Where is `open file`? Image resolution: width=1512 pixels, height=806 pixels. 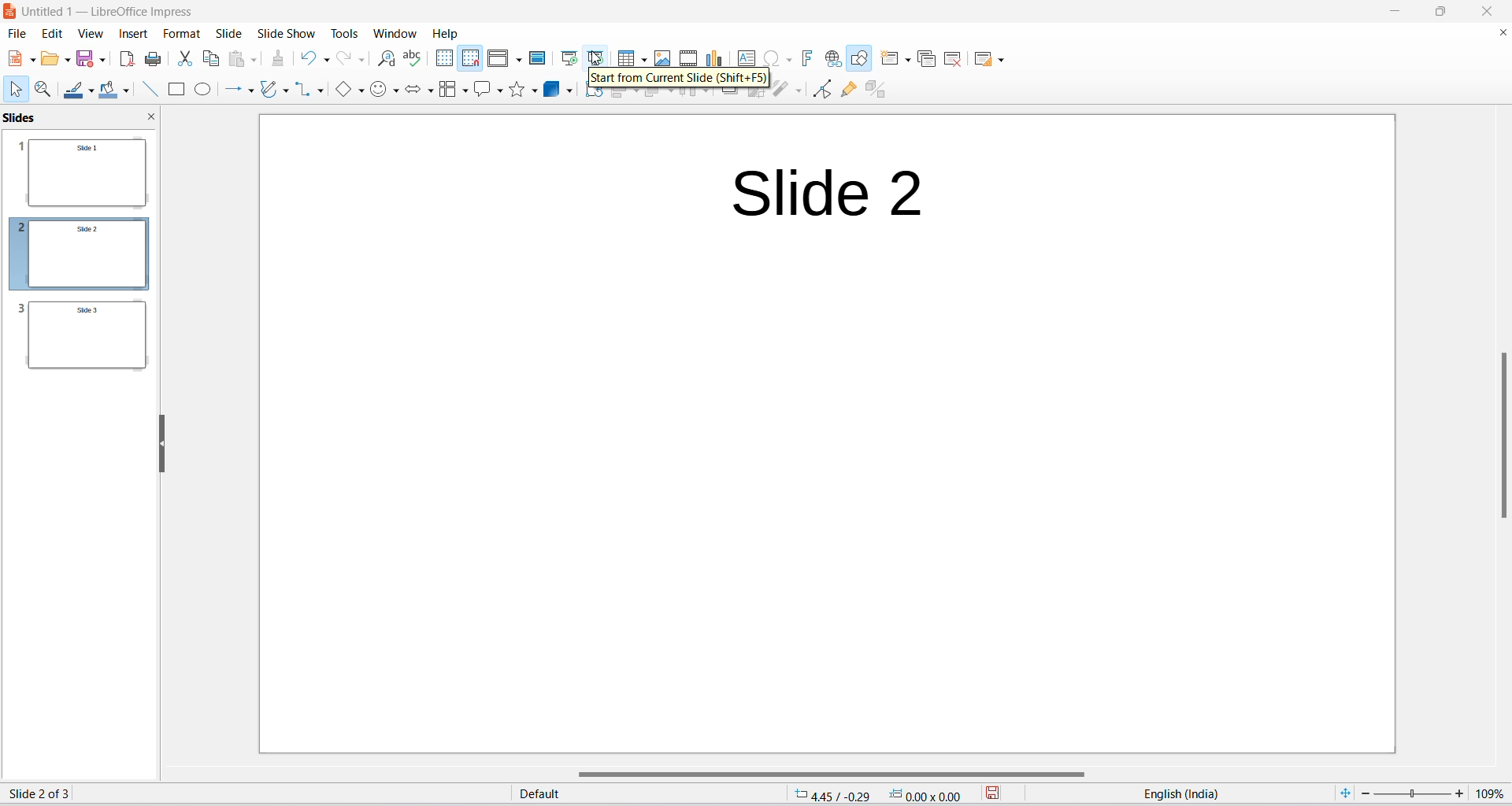
open file is located at coordinates (49, 61).